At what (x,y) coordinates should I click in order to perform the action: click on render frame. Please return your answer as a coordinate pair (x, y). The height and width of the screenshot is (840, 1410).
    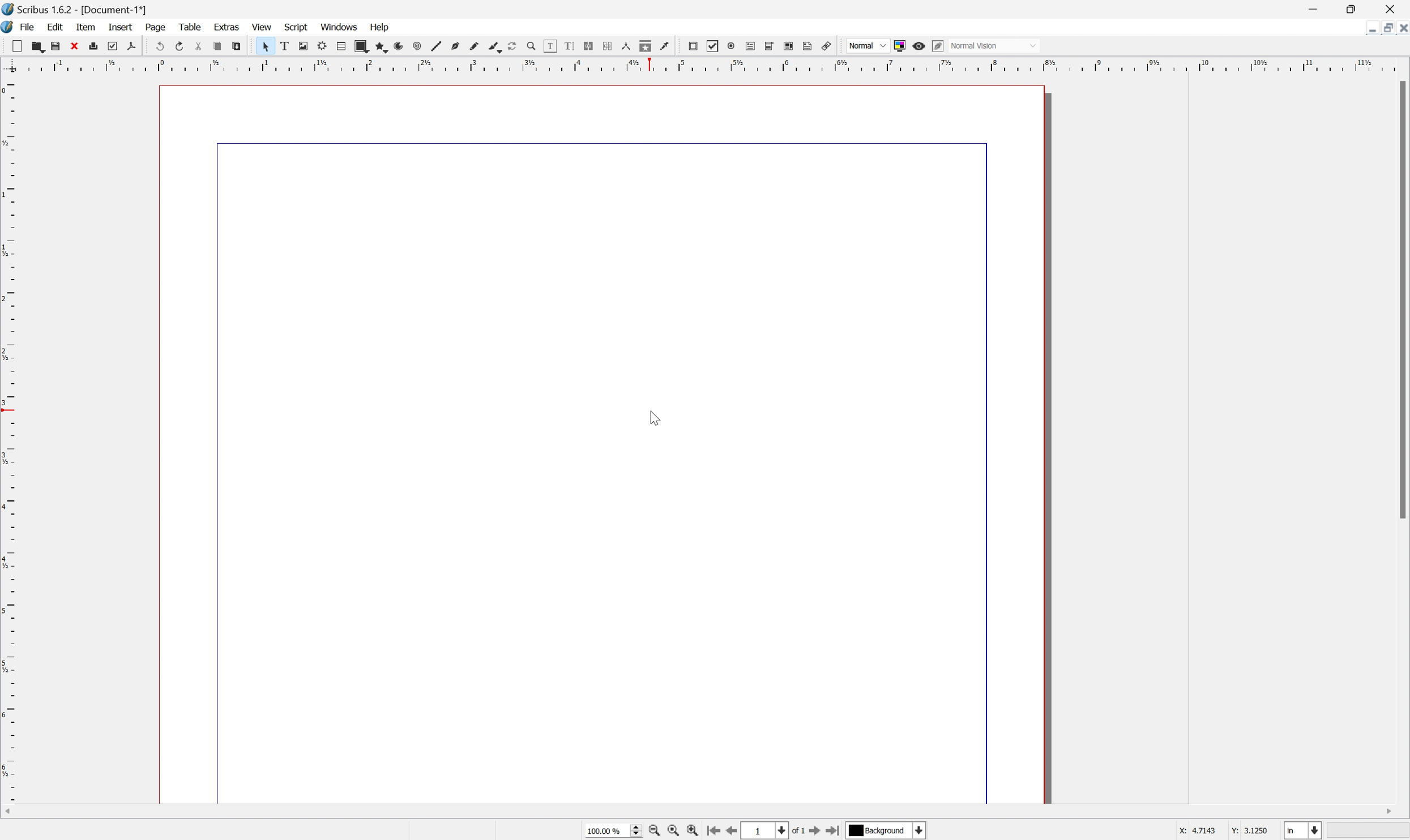
    Looking at the image, I should click on (322, 46).